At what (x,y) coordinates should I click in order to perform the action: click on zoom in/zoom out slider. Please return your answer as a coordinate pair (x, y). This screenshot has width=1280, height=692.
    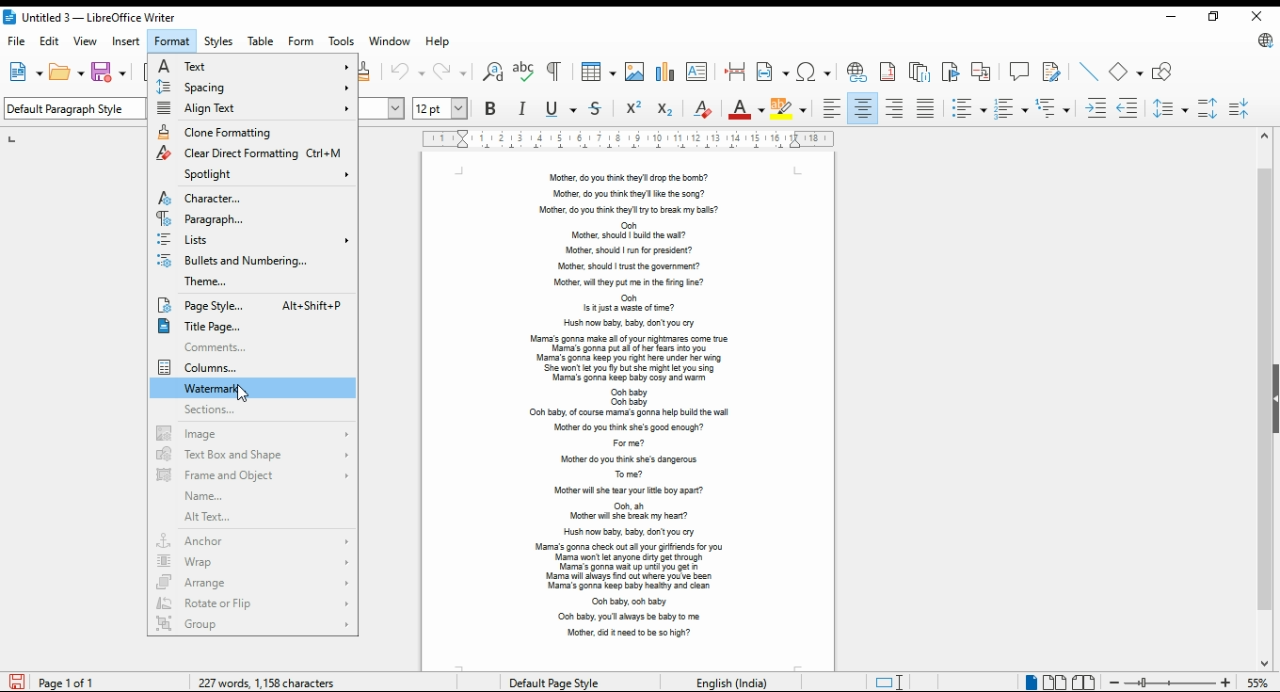
    Looking at the image, I should click on (1170, 683).